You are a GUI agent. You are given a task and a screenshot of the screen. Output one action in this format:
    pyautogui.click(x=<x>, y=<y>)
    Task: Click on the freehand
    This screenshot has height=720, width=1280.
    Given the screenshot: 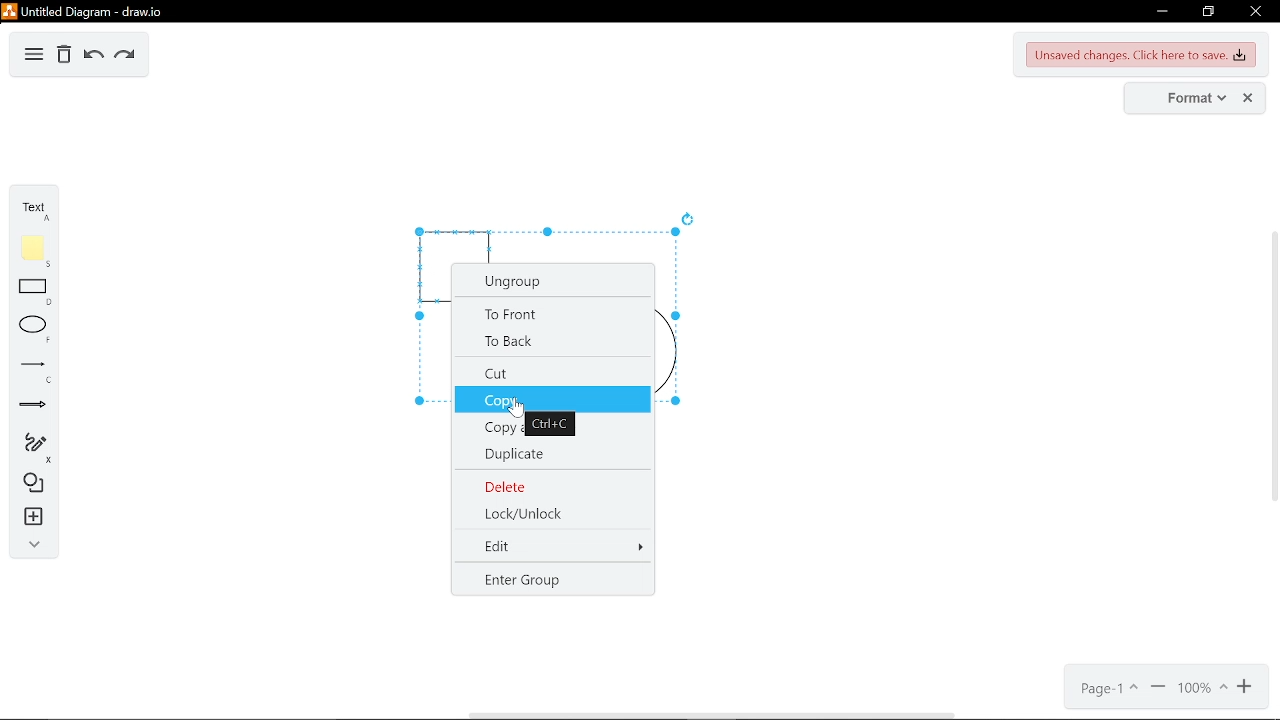 What is the action you would take?
    pyautogui.click(x=31, y=448)
    